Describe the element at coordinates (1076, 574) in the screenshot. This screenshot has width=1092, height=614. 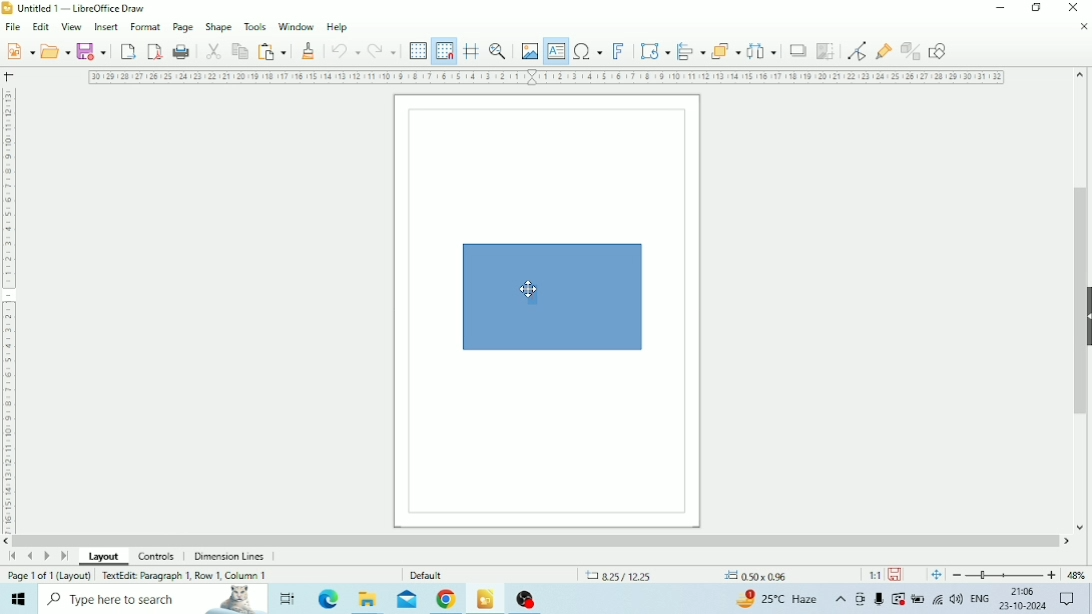
I see `Zoom factor` at that location.